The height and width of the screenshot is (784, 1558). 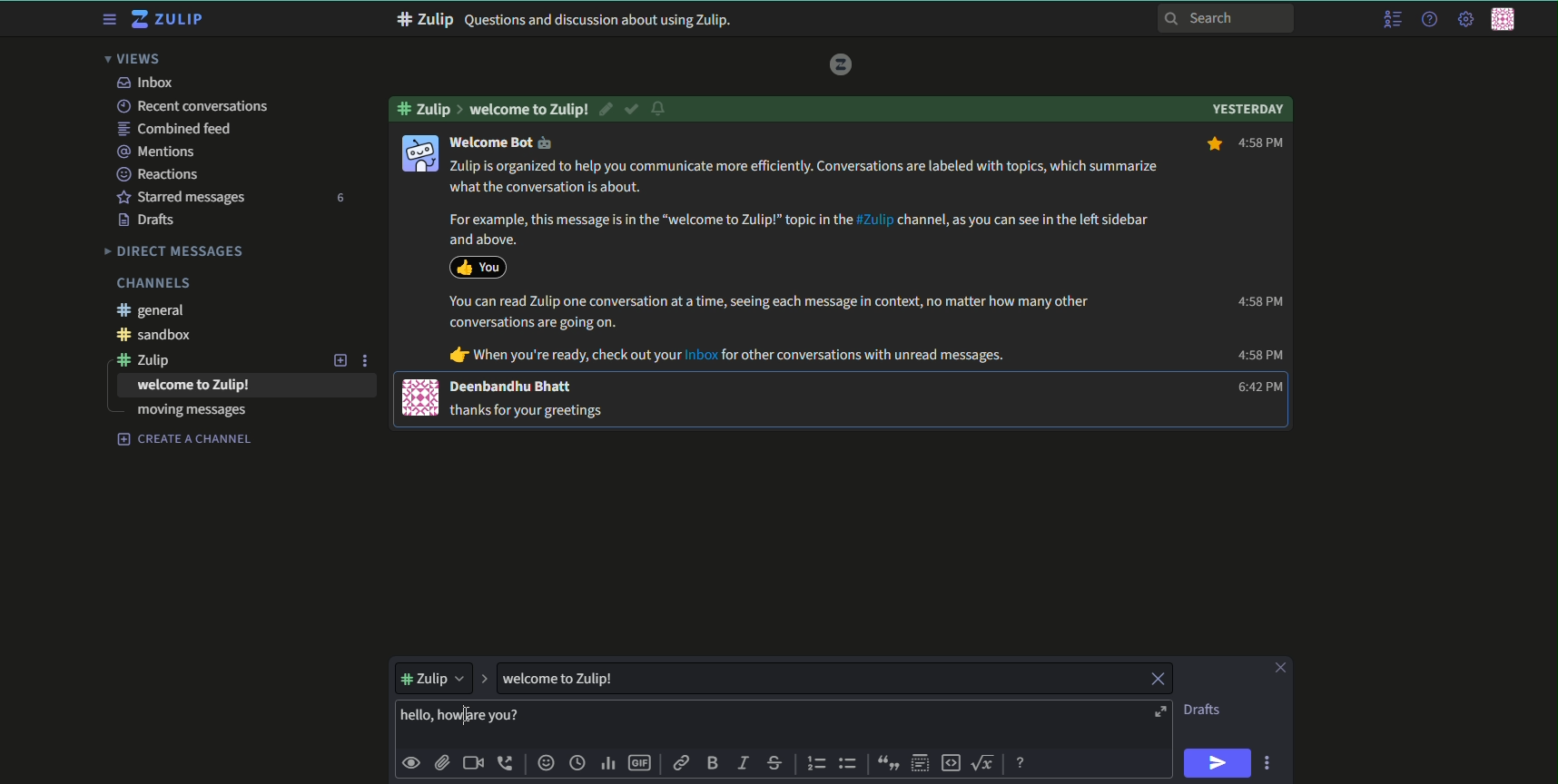 What do you see at coordinates (728, 356) in the screenshot?
I see `@ When you're ready, check out your Inbox for other conversations with unread messages.` at bounding box center [728, 356].